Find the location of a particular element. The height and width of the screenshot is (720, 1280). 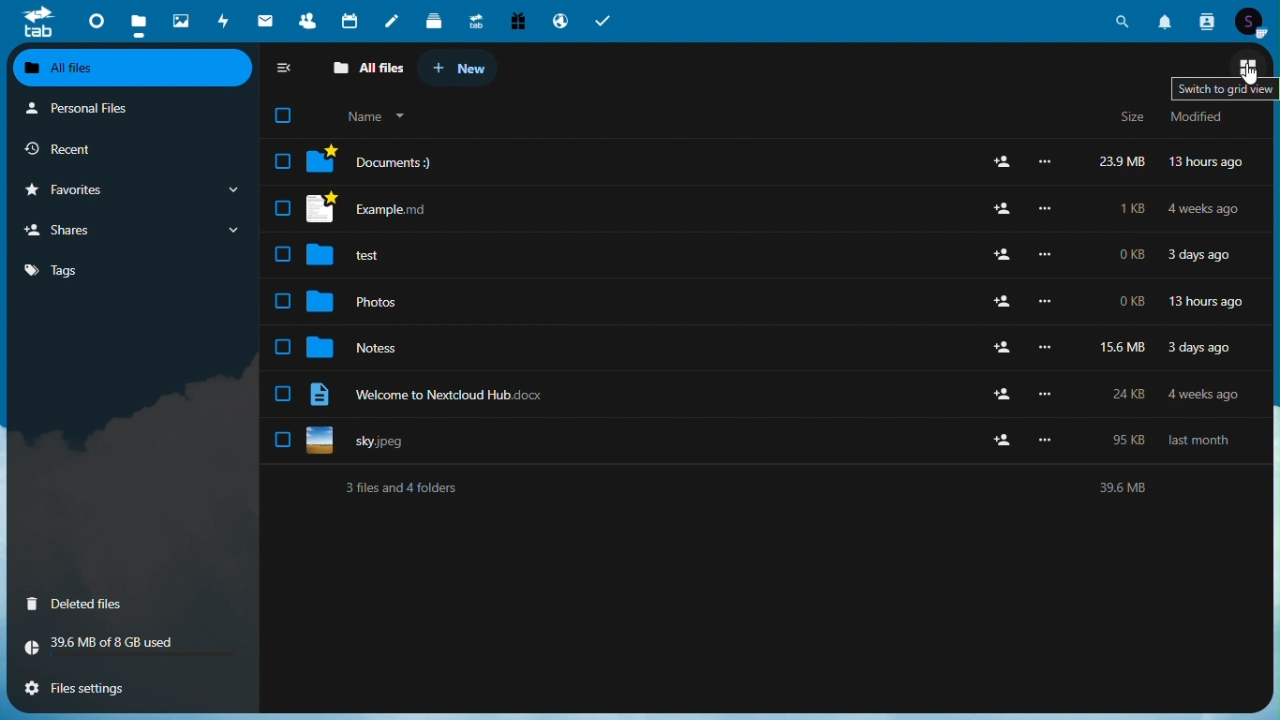

switch to grid veiw is located at coordinates (1227, 88).